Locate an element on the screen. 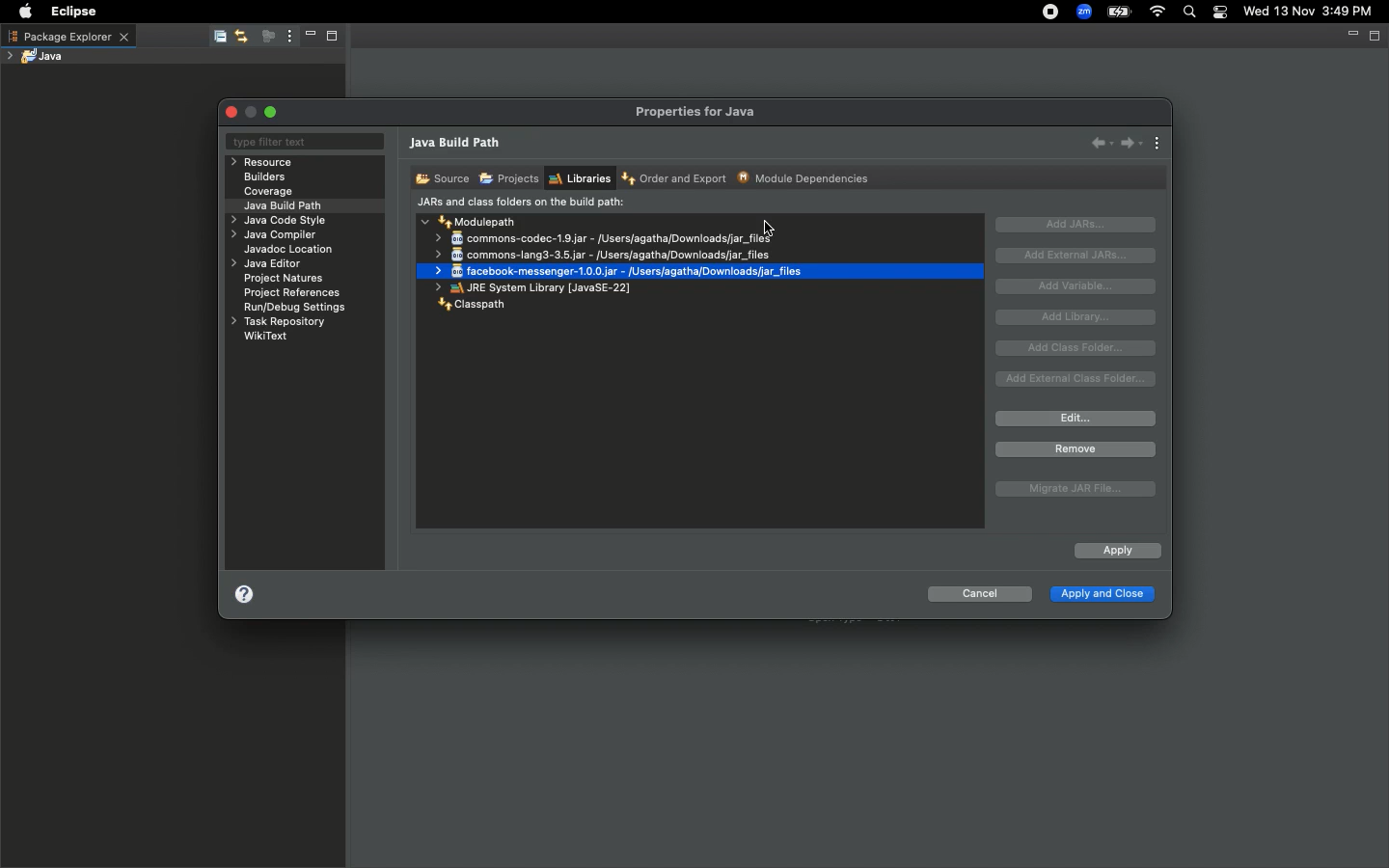 The height and width of the screenshot is (868, 1389). Close is located at coordinates (233, 112).